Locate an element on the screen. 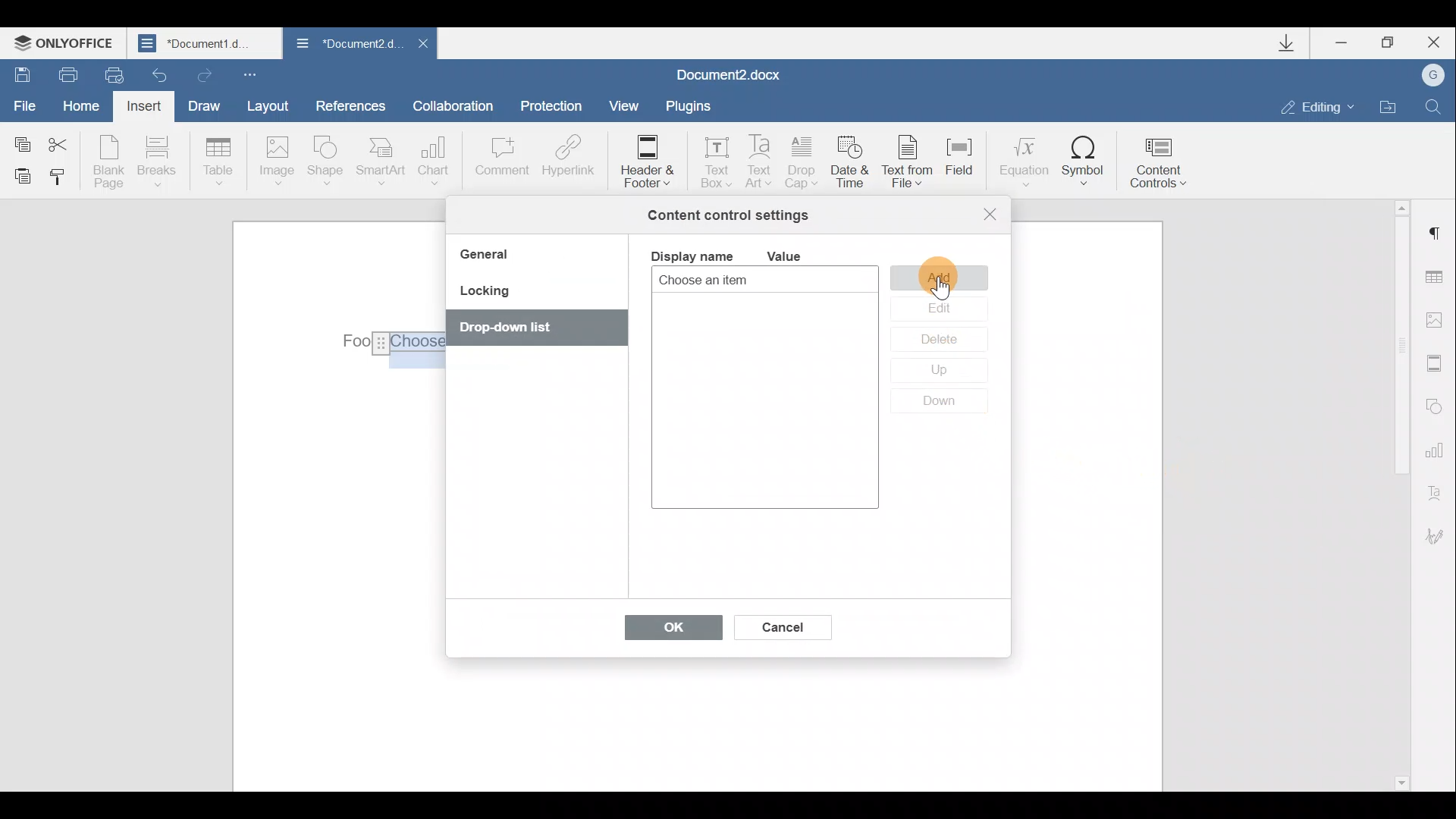  Cancel is located at coordinates (781, 624).